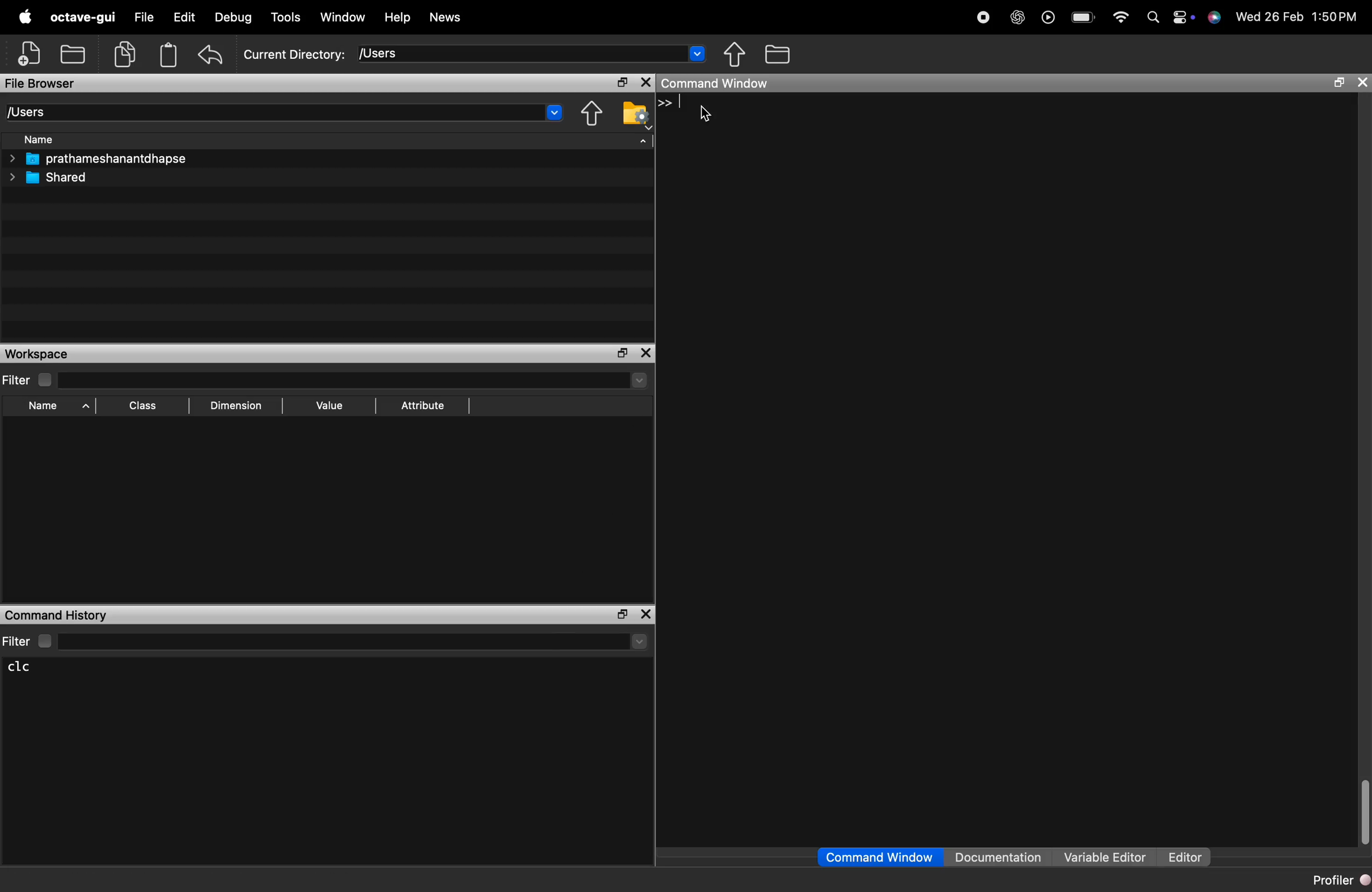 The image size is (1372, 892). I want to click on wifi, so click(1120, 16).